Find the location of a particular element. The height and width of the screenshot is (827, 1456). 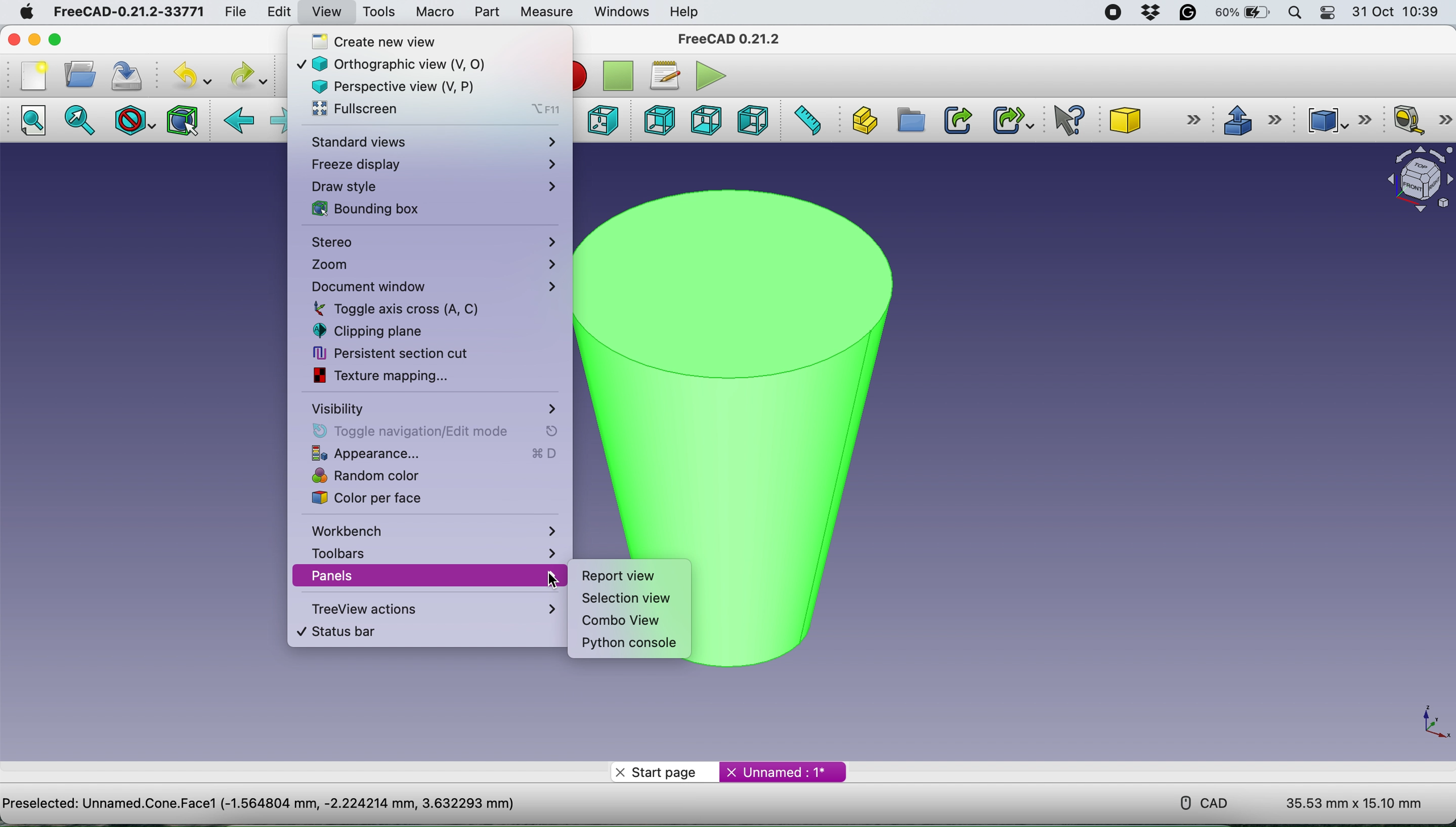

execute macros is located at coordinates (708, 76).